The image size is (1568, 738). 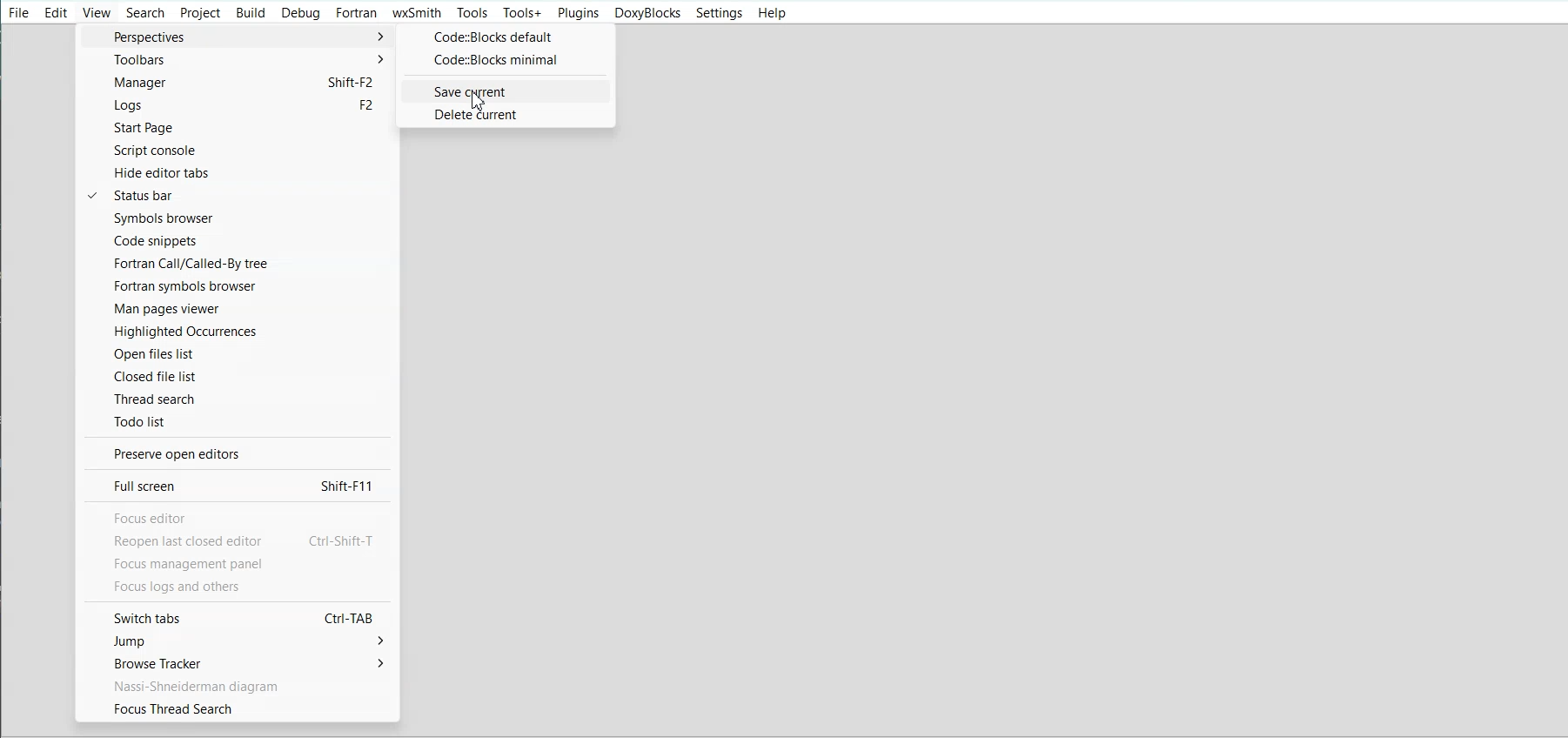 I want to click on text, so click(x=241, y=552).